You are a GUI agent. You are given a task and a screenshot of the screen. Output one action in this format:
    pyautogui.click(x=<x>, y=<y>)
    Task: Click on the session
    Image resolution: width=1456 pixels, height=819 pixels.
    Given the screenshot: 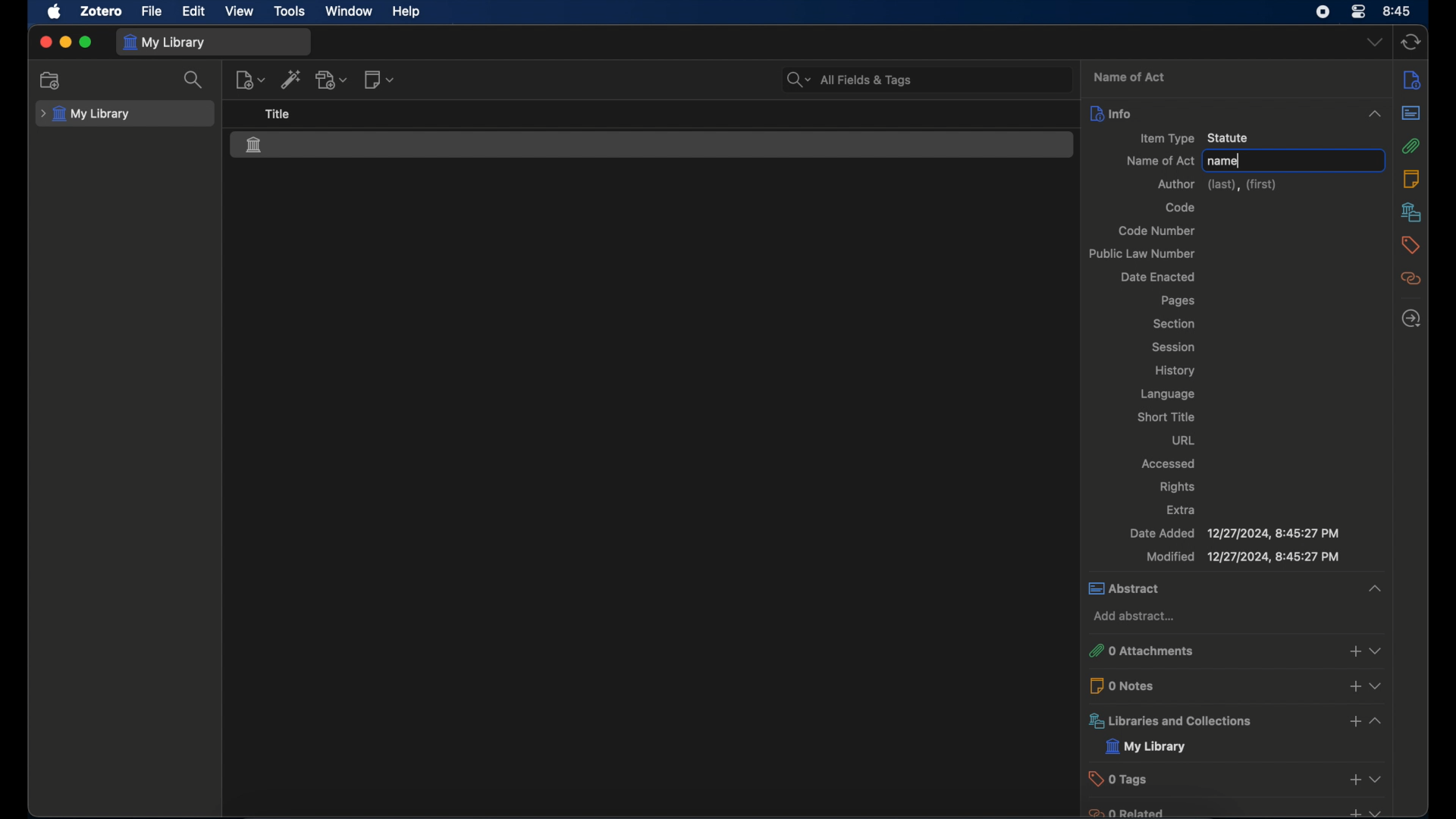 What is the action you would take?
    pyautogui.click(x=1170, y=347)
    